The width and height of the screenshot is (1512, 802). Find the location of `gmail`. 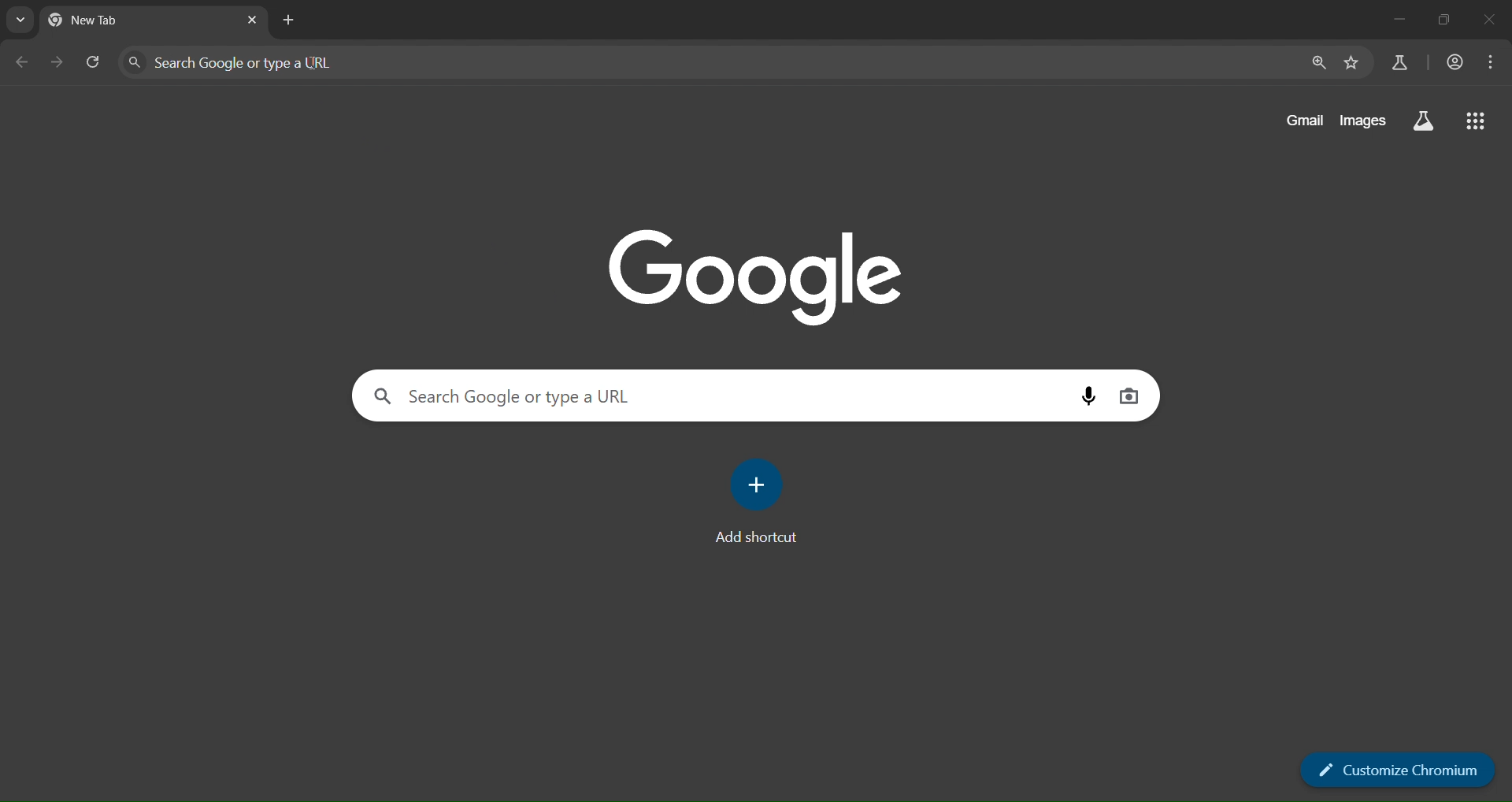

gmail is located at coordinates (1302, 121).